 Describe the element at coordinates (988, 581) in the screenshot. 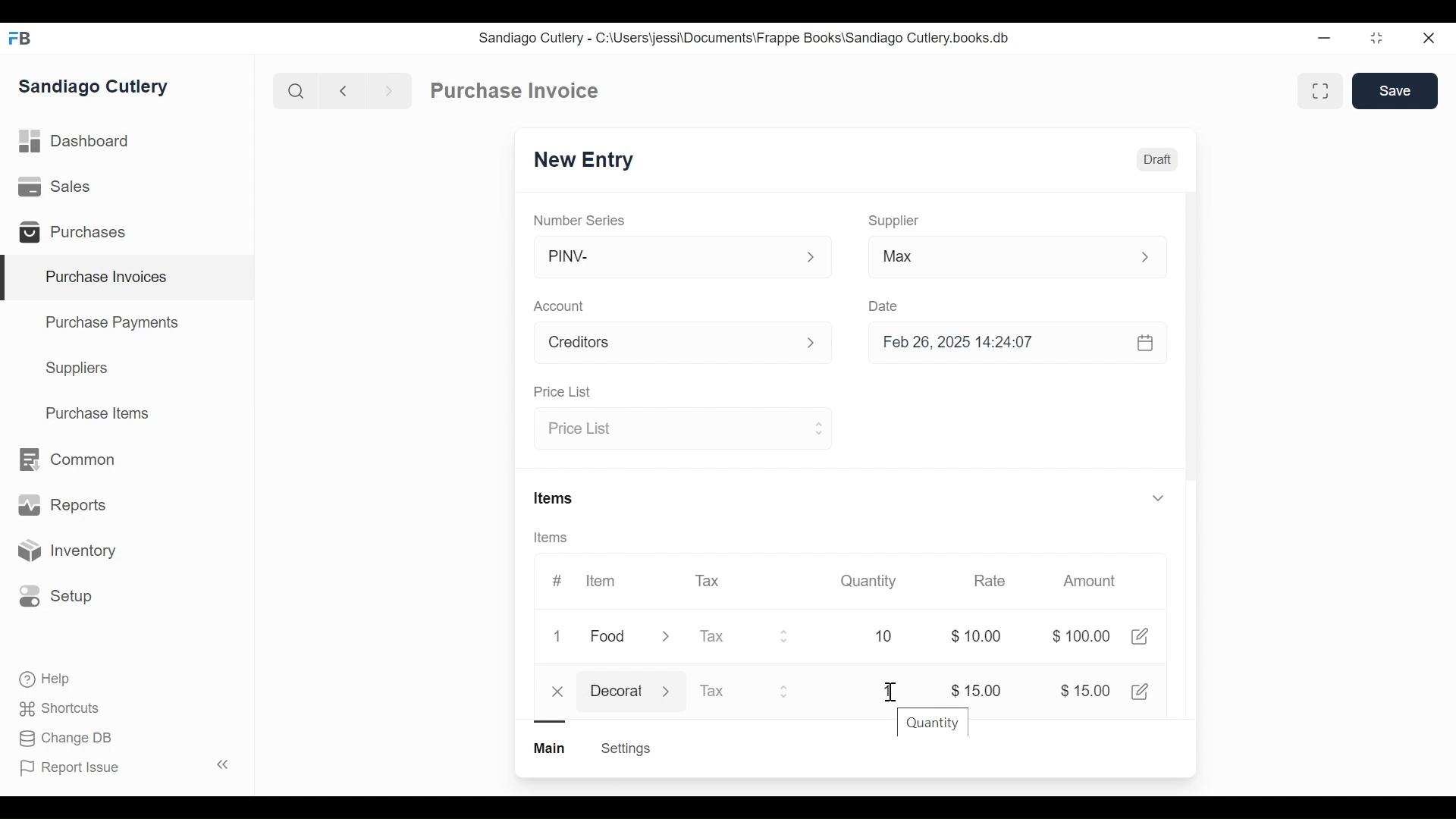

I see `Rate` at that location.